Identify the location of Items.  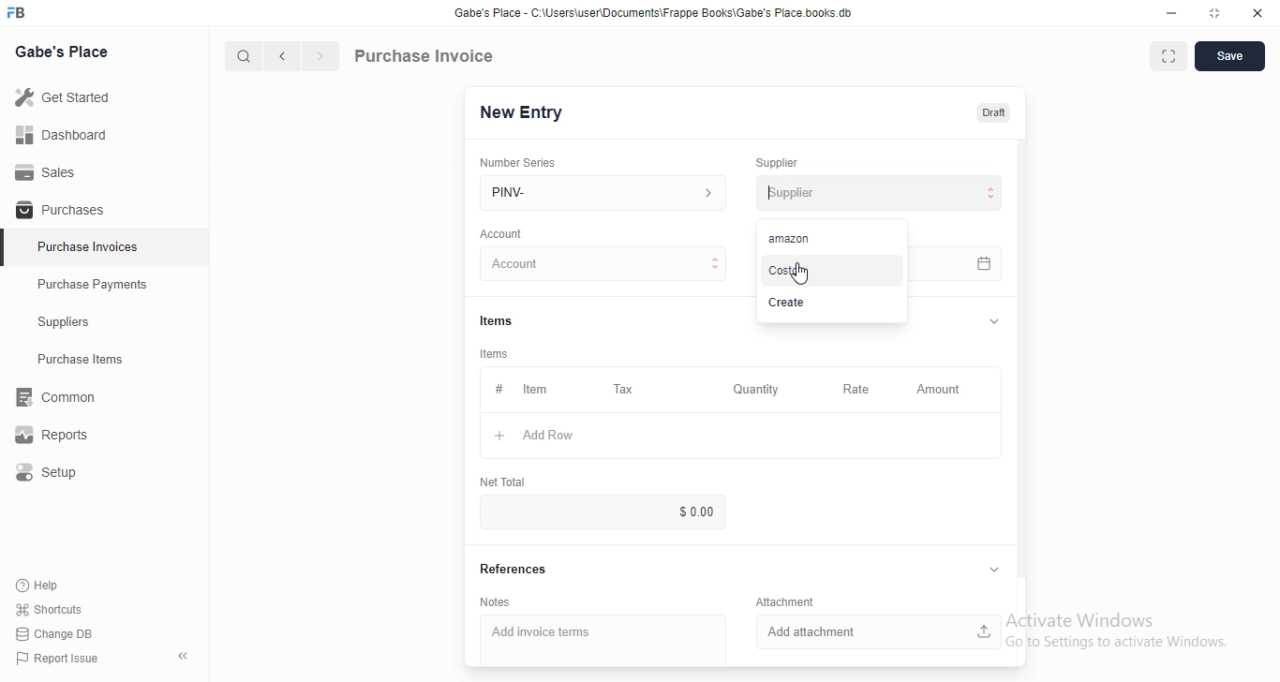
(496, 321).